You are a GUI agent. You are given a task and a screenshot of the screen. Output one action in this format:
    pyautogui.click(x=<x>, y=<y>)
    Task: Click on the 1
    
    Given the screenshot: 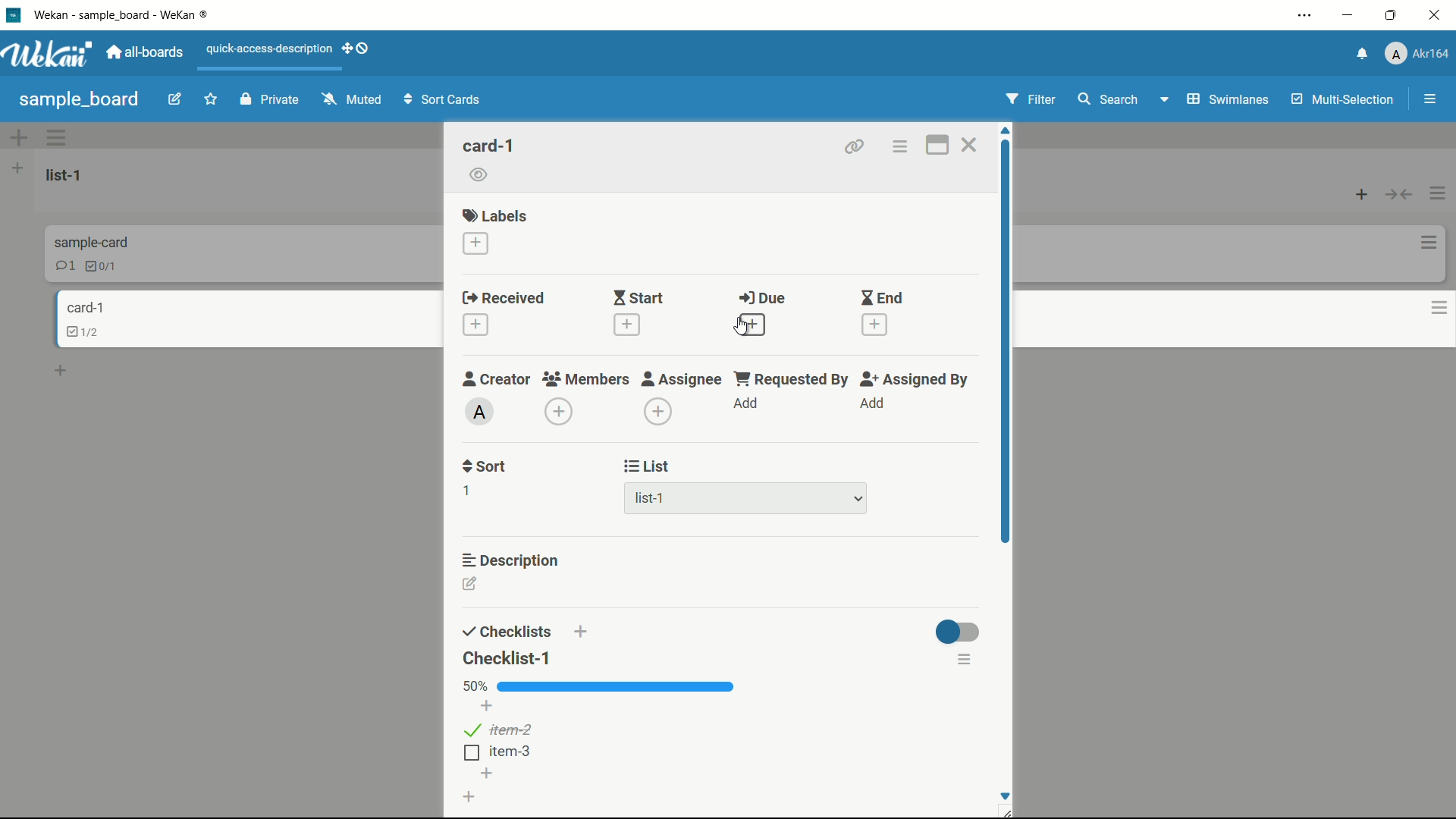 What is the action you would take?
    pyautogui.click(x=463, y=491)
    